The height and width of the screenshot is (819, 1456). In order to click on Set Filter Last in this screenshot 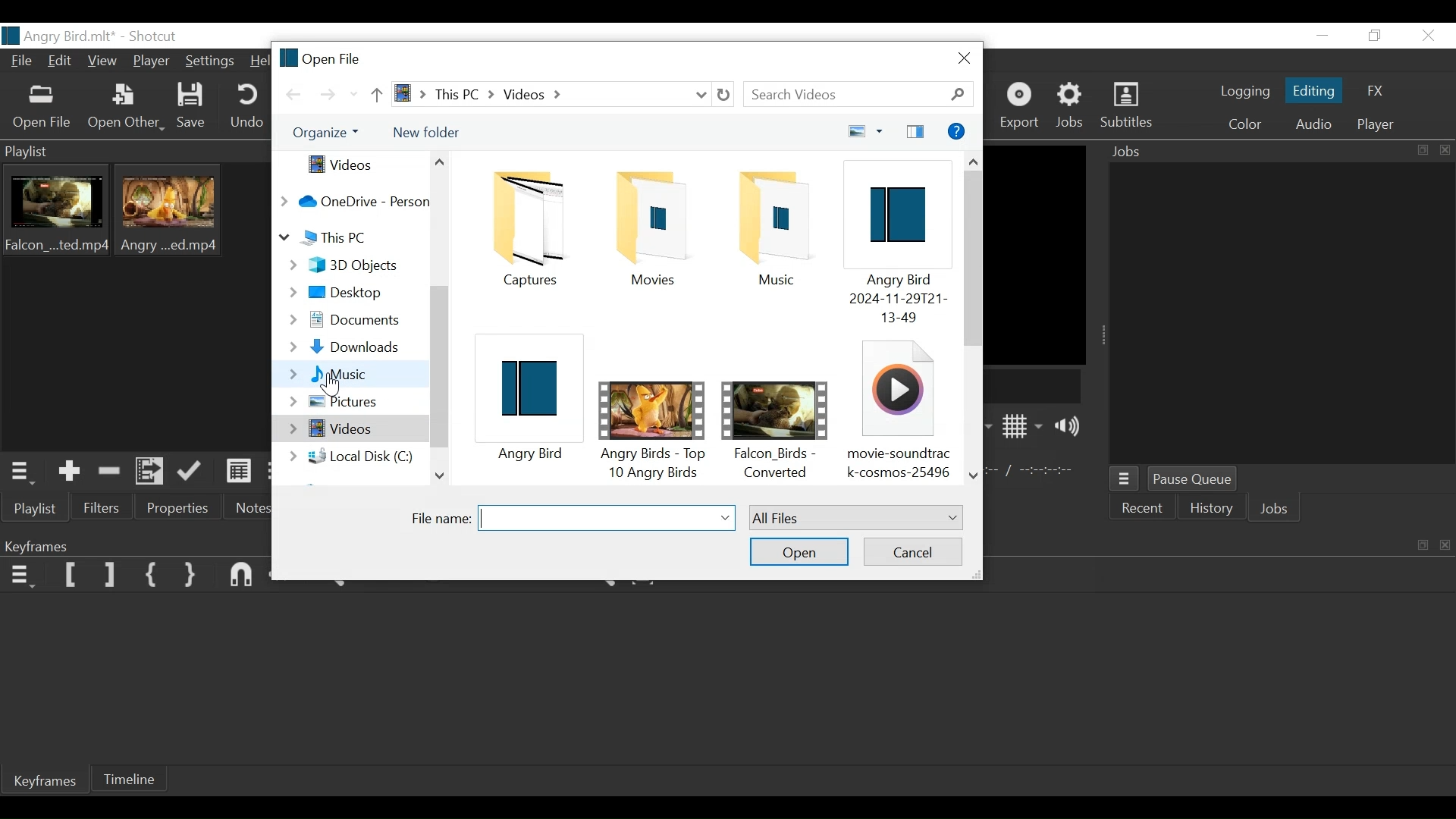, I will do `click(111, 575)`.